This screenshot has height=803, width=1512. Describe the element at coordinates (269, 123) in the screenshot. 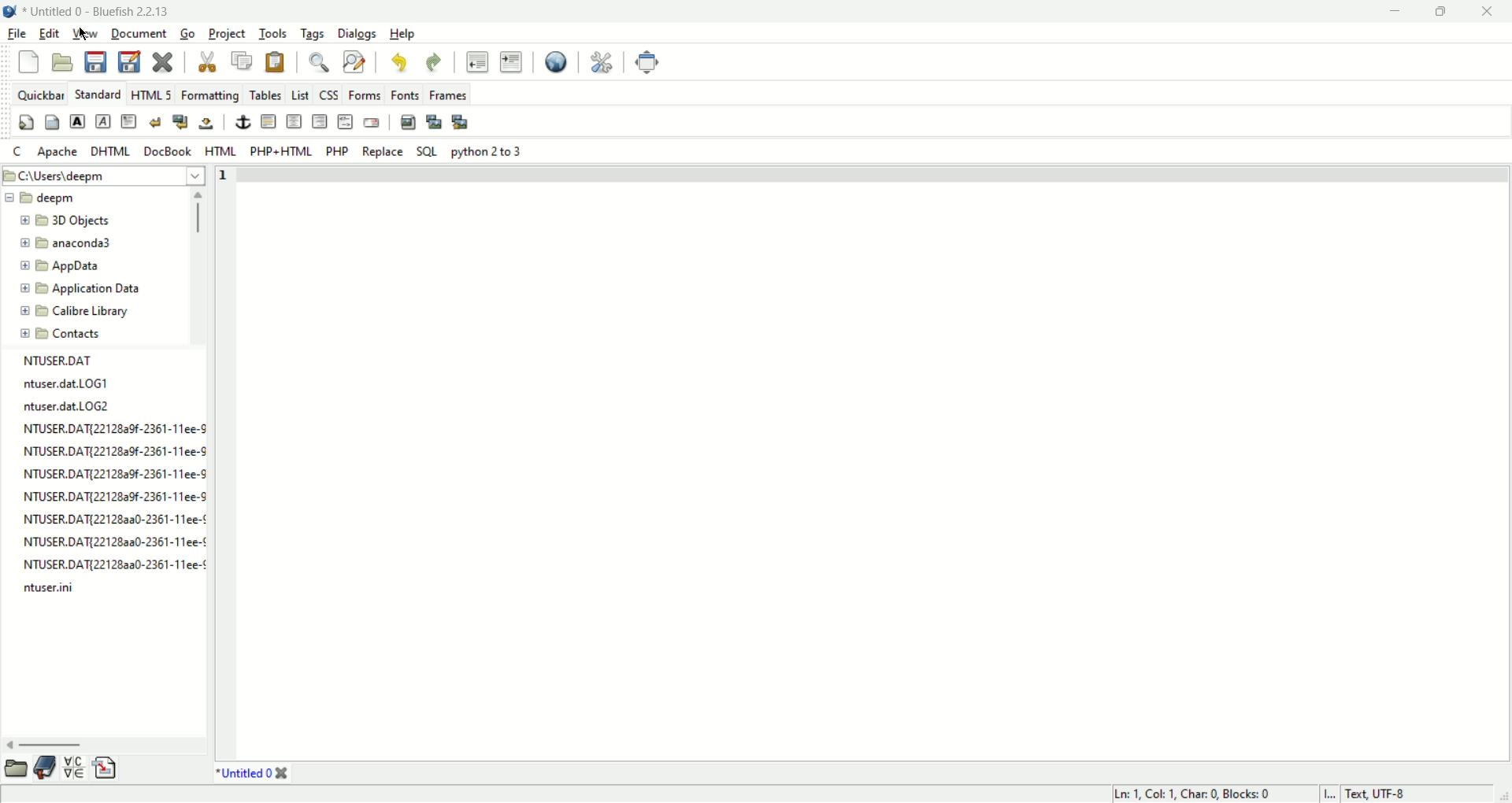

I see `horizontal rule` at that location.